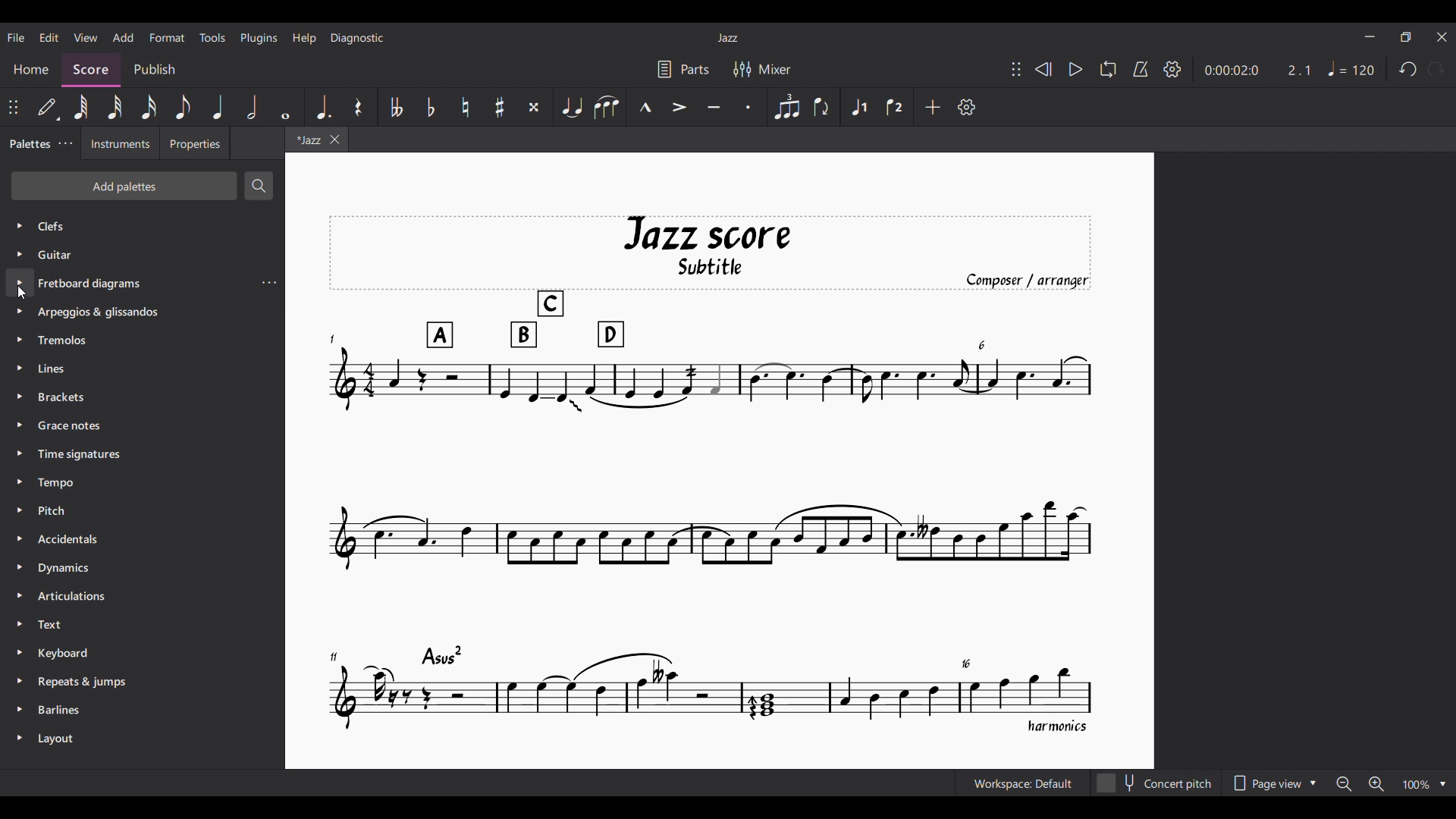 Image resolution: width=1456 pixels, height=819 pixels. What do you see at coordinates (72, 427) in the screenshot?
I see `Grace` at bounding box center [72, 427].